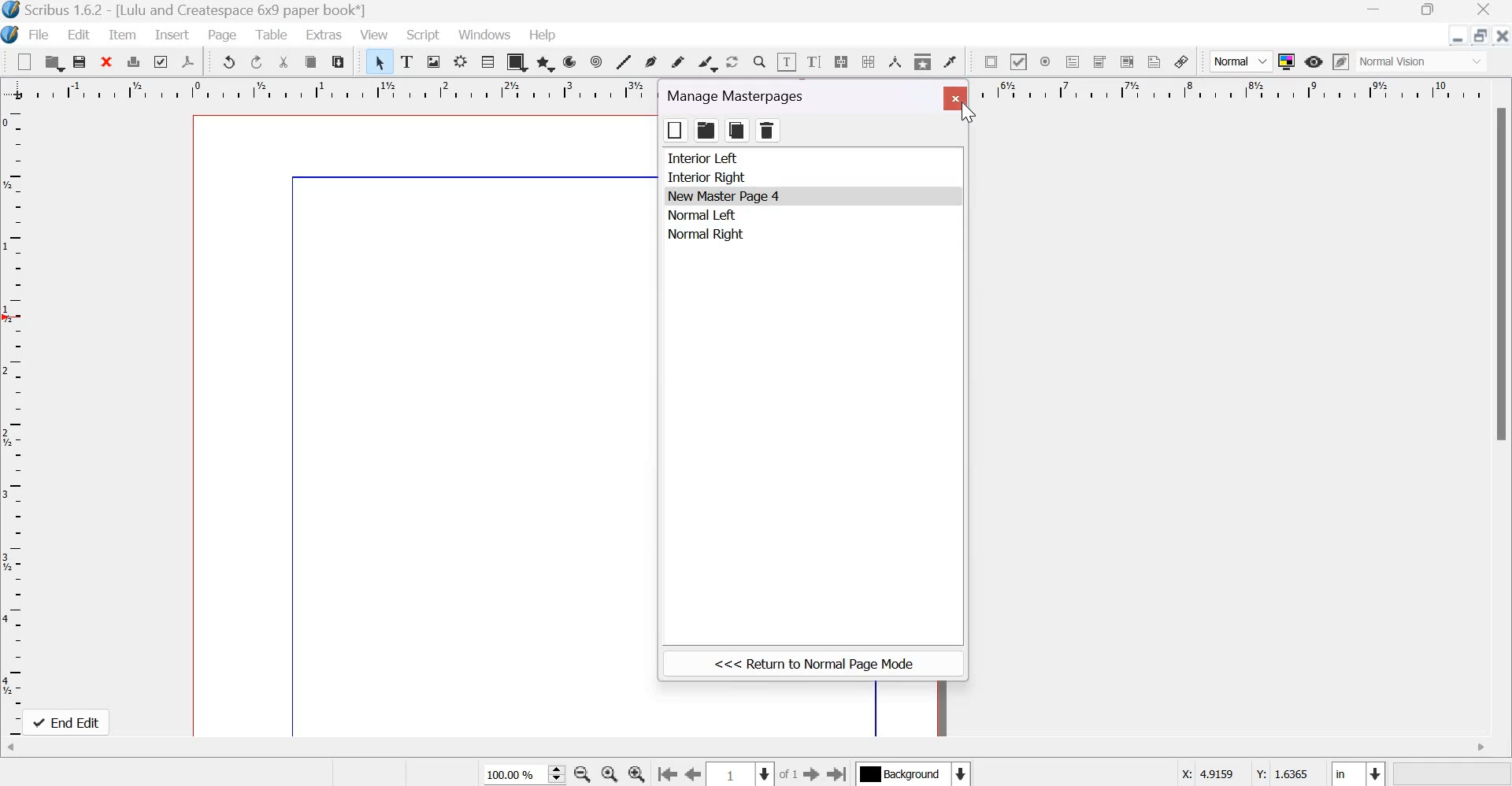  I want to click on PDF check box, so click(1017, 61).